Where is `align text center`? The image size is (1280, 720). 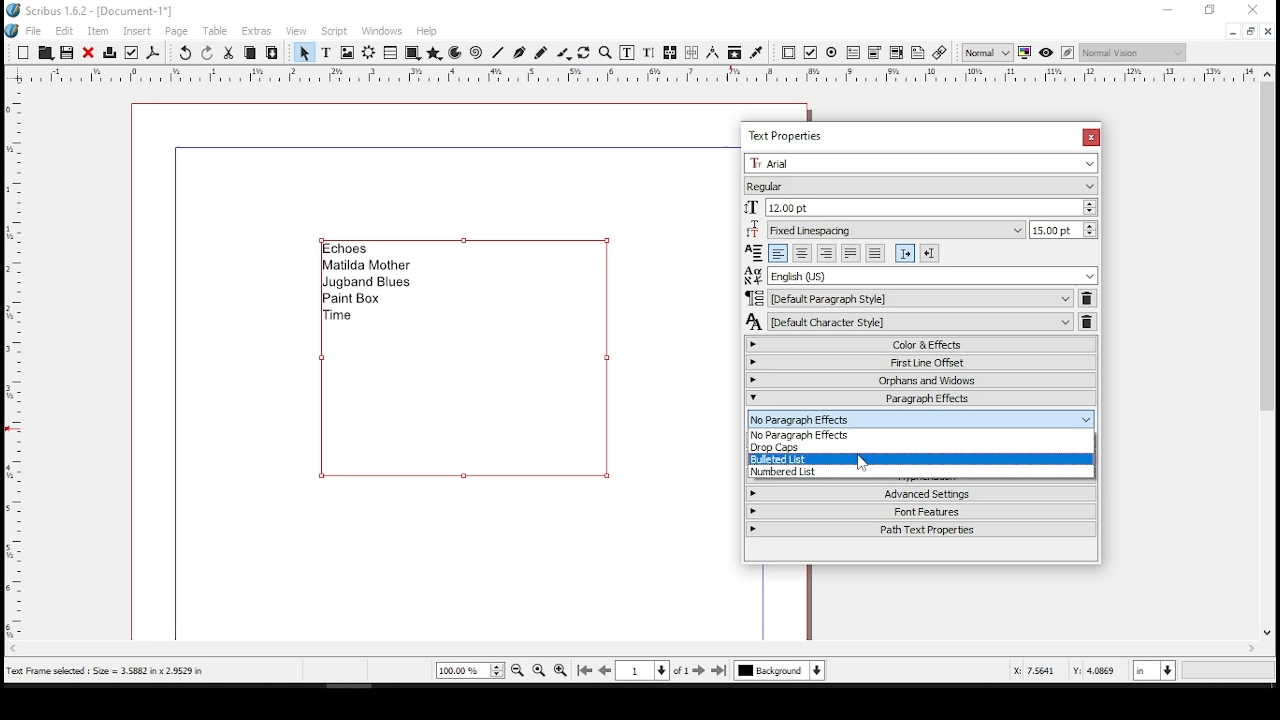 align text center is located at coordinates (802, 253).